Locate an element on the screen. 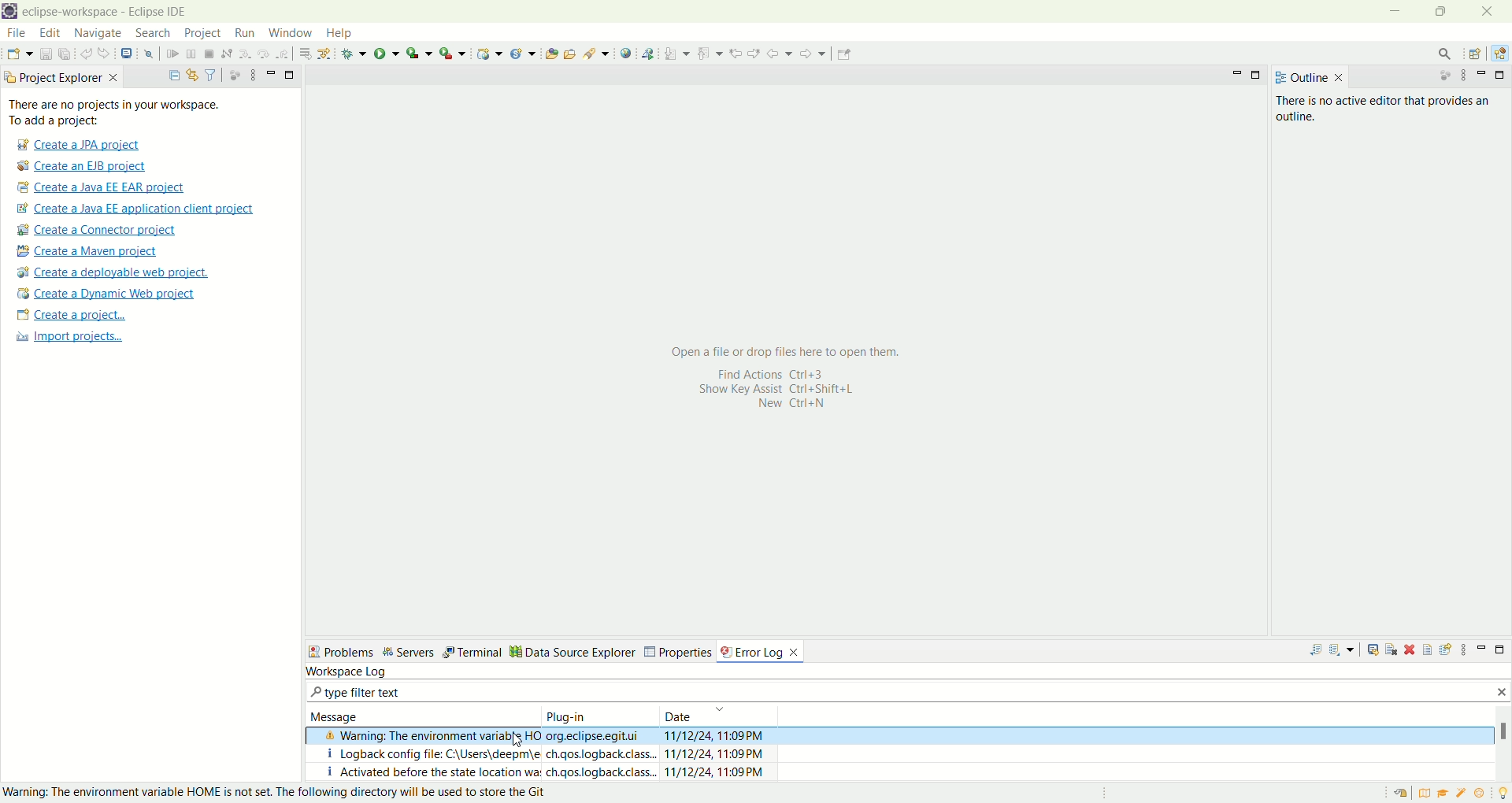  restore welcome is located at coordinates (1399, 794).